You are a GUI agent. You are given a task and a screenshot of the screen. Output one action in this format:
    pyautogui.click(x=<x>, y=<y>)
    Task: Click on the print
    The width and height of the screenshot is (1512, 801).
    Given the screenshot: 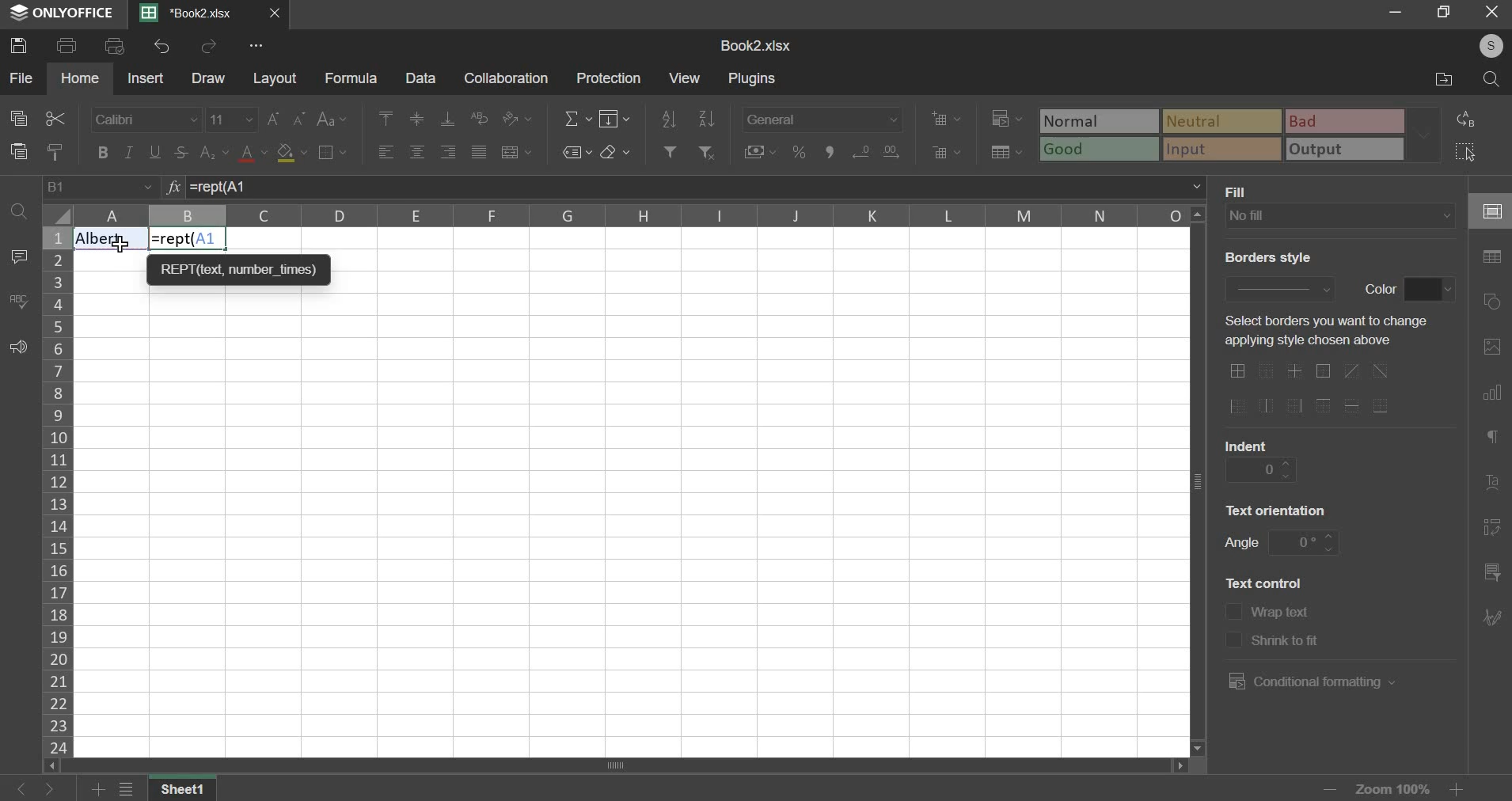 What is the action you would take?
    pyautogui.click(x=67, y=44)
    